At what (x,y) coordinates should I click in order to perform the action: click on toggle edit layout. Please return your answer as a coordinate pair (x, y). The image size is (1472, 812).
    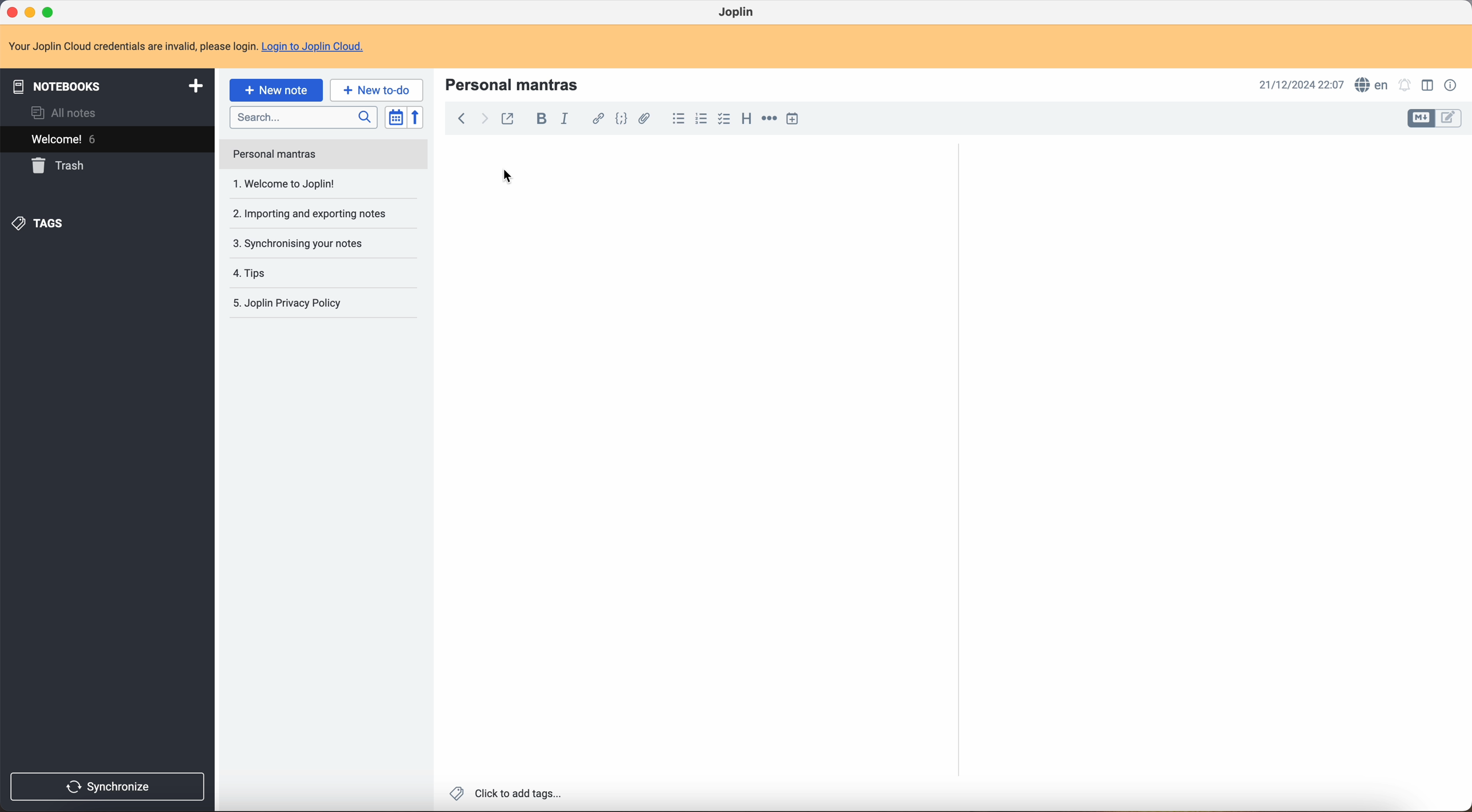
    Looking at the image, I should click on (1449, 119).